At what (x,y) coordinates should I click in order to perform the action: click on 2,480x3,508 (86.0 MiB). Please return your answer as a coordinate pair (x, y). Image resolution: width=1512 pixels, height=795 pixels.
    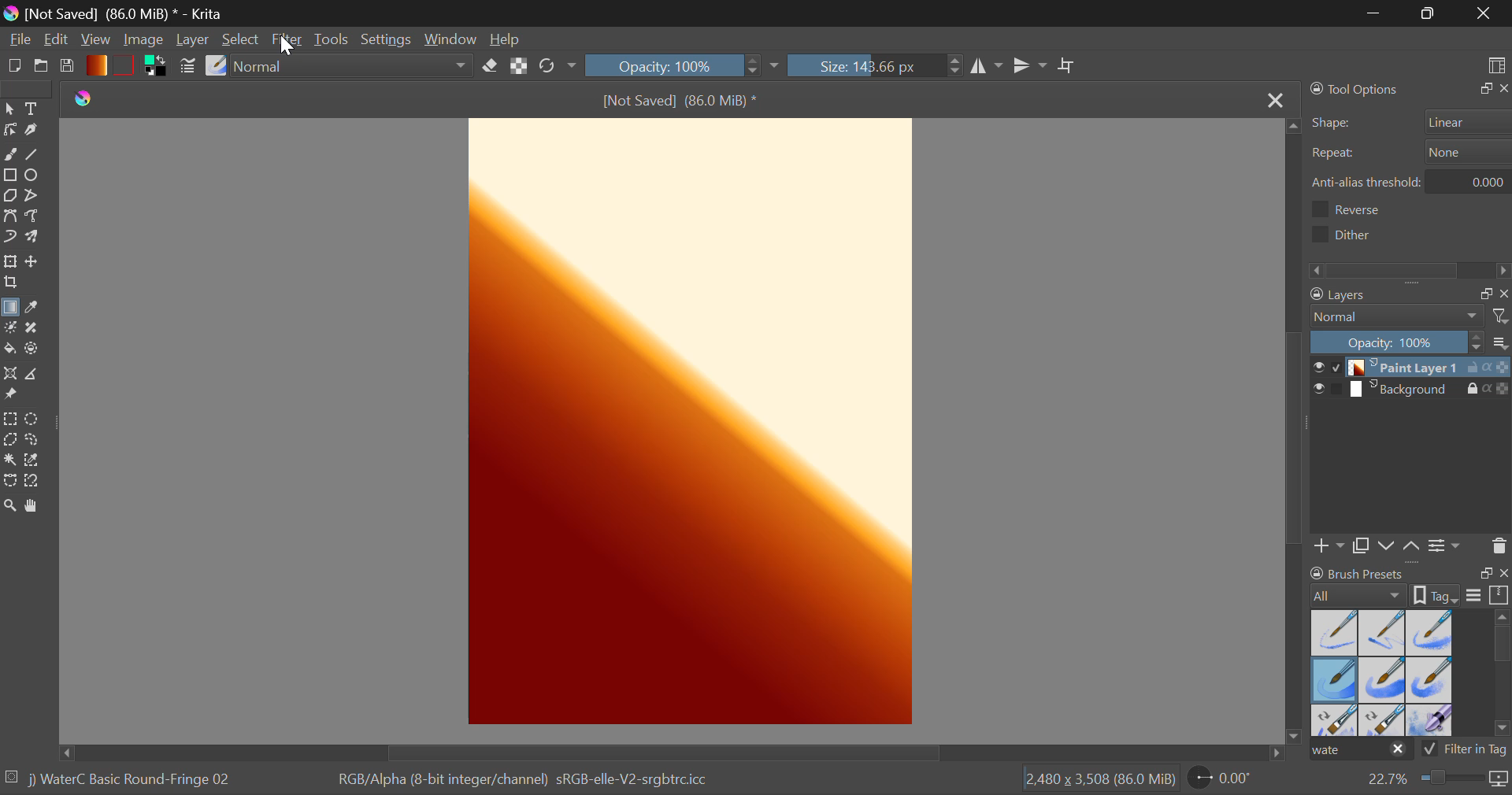
    Looking at the image, I should click on (1098, 780).